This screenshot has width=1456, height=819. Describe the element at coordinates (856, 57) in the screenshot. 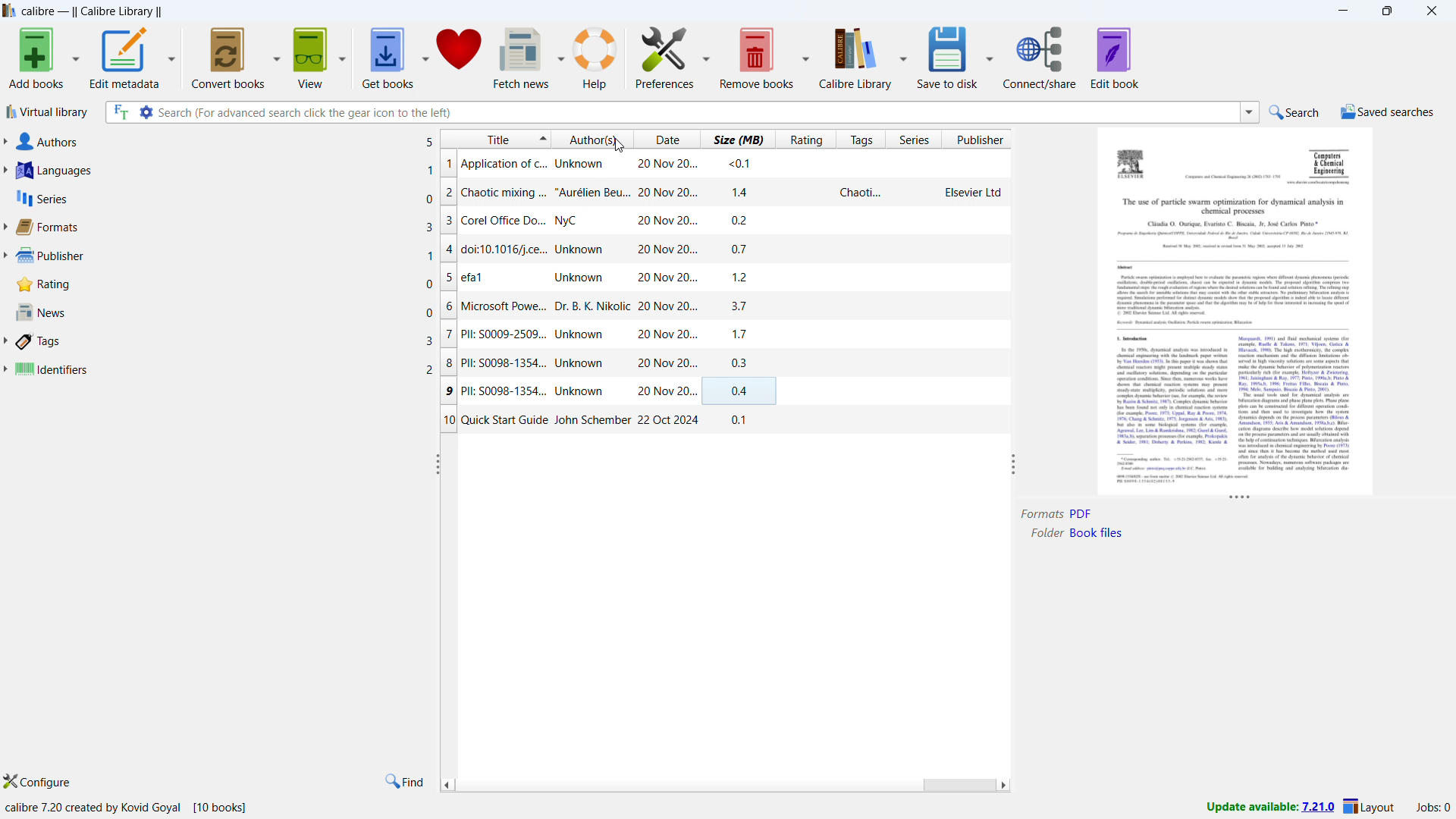

I see `calibre library ` at that location.